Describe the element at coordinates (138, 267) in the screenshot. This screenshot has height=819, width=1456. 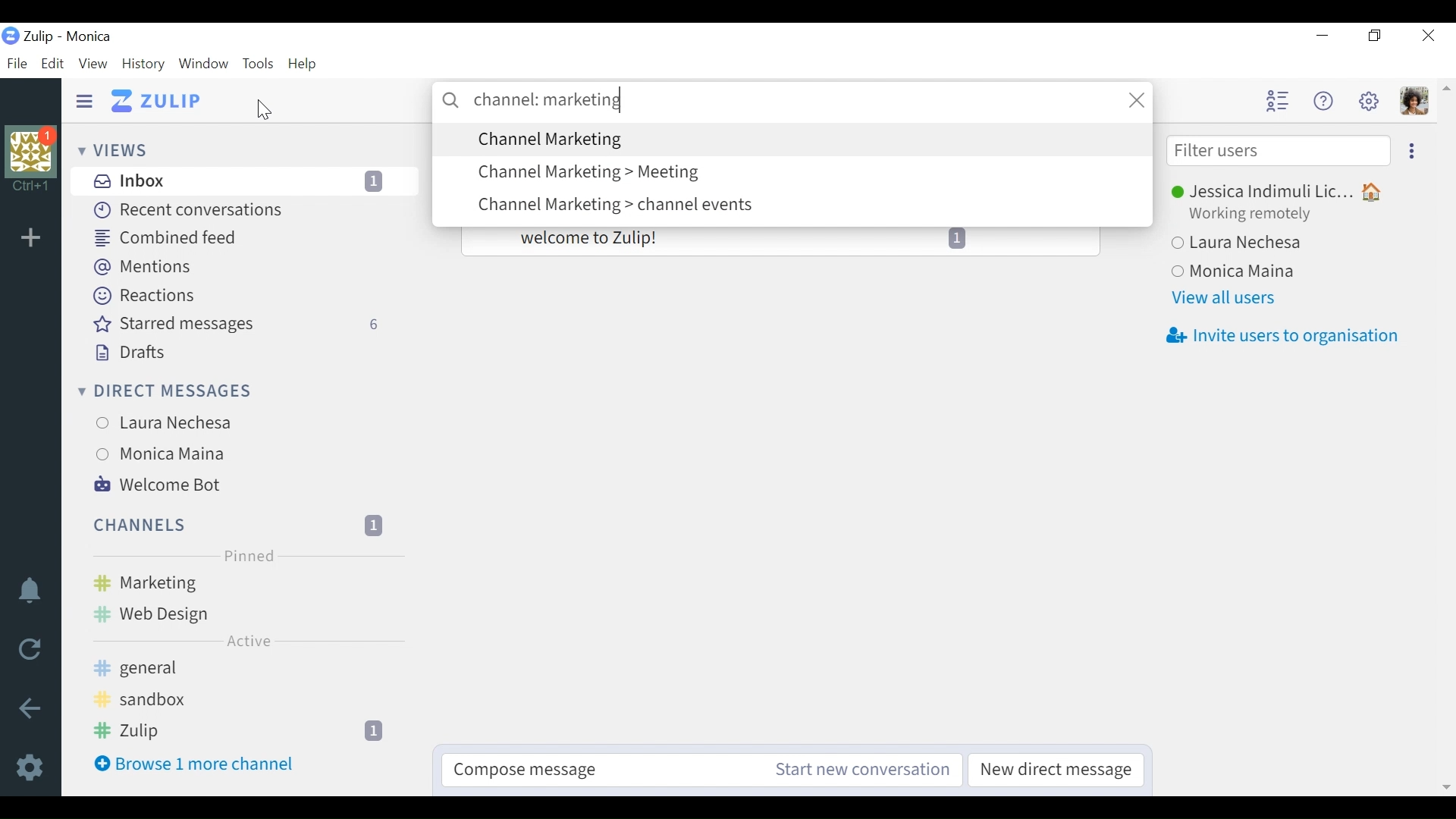
I see `Mentions` at that location.